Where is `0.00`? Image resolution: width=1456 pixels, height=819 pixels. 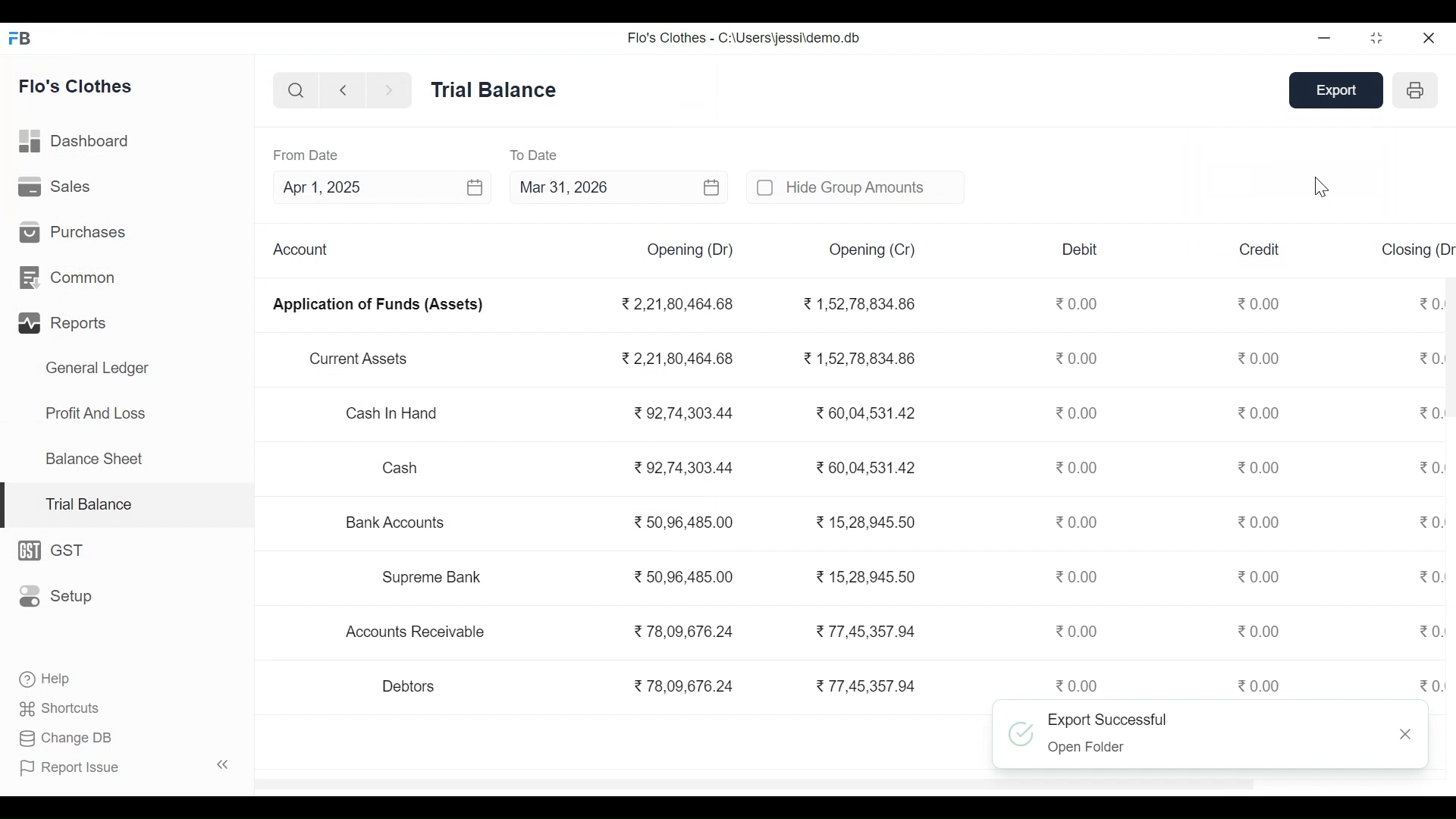
0.00 is located at coordinates (1262, 685).